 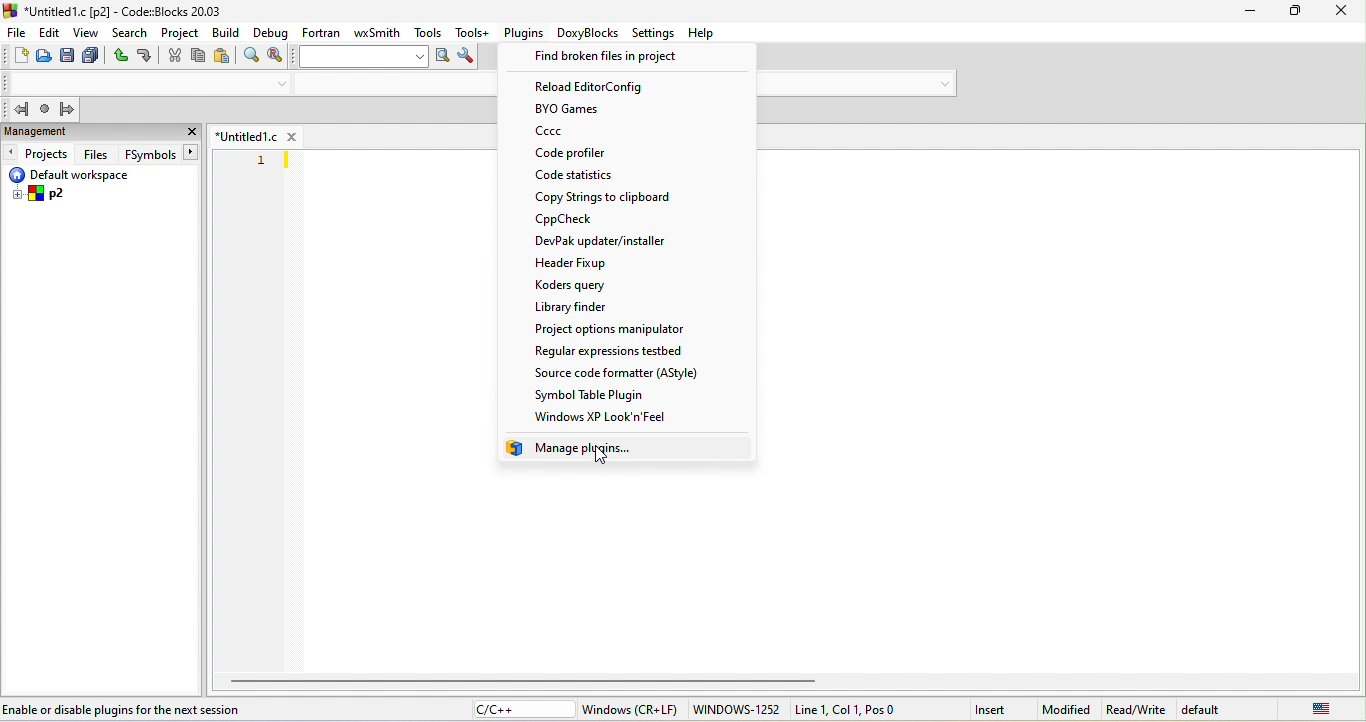 I want to click on copy check, so click(x=621, y=220).